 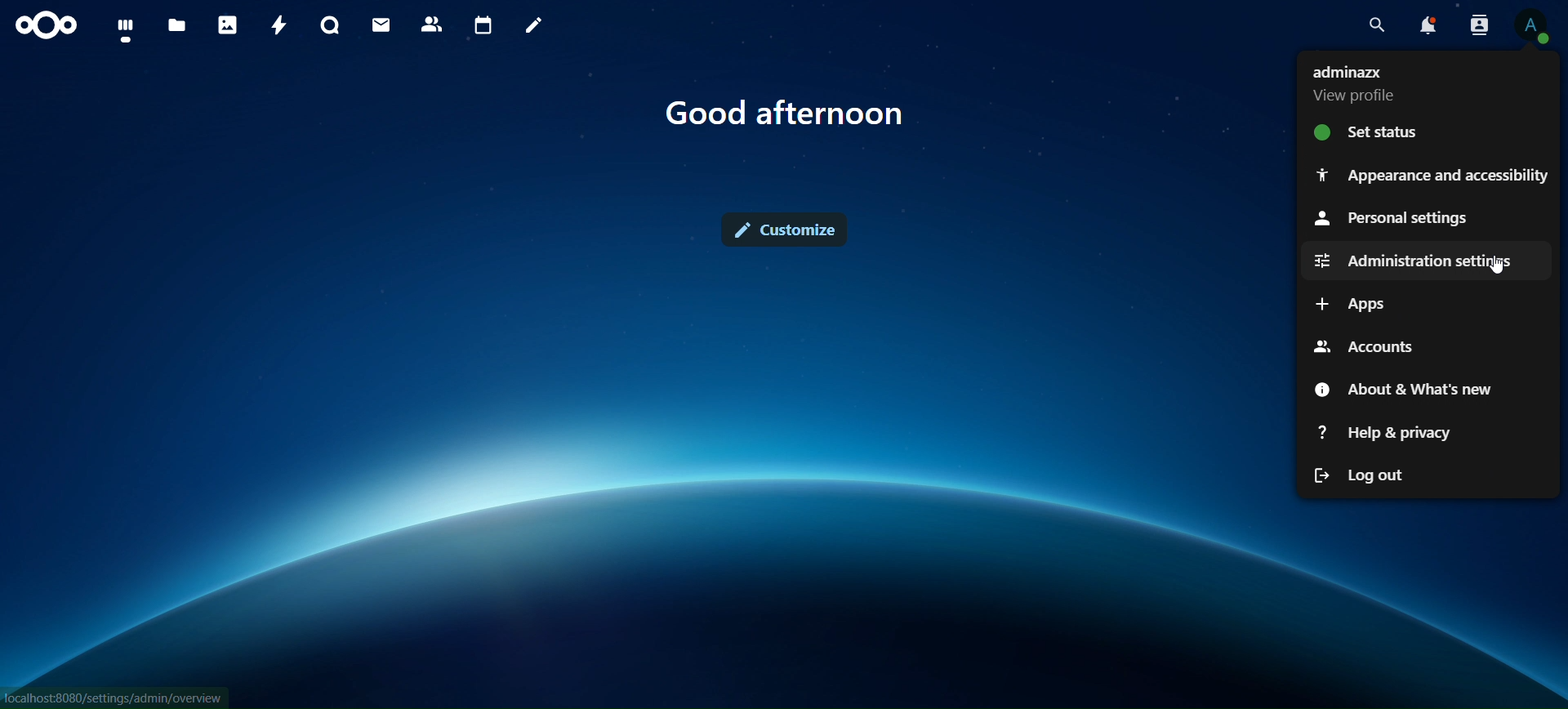 I want to click on set status, so click(x=1374, y=132).